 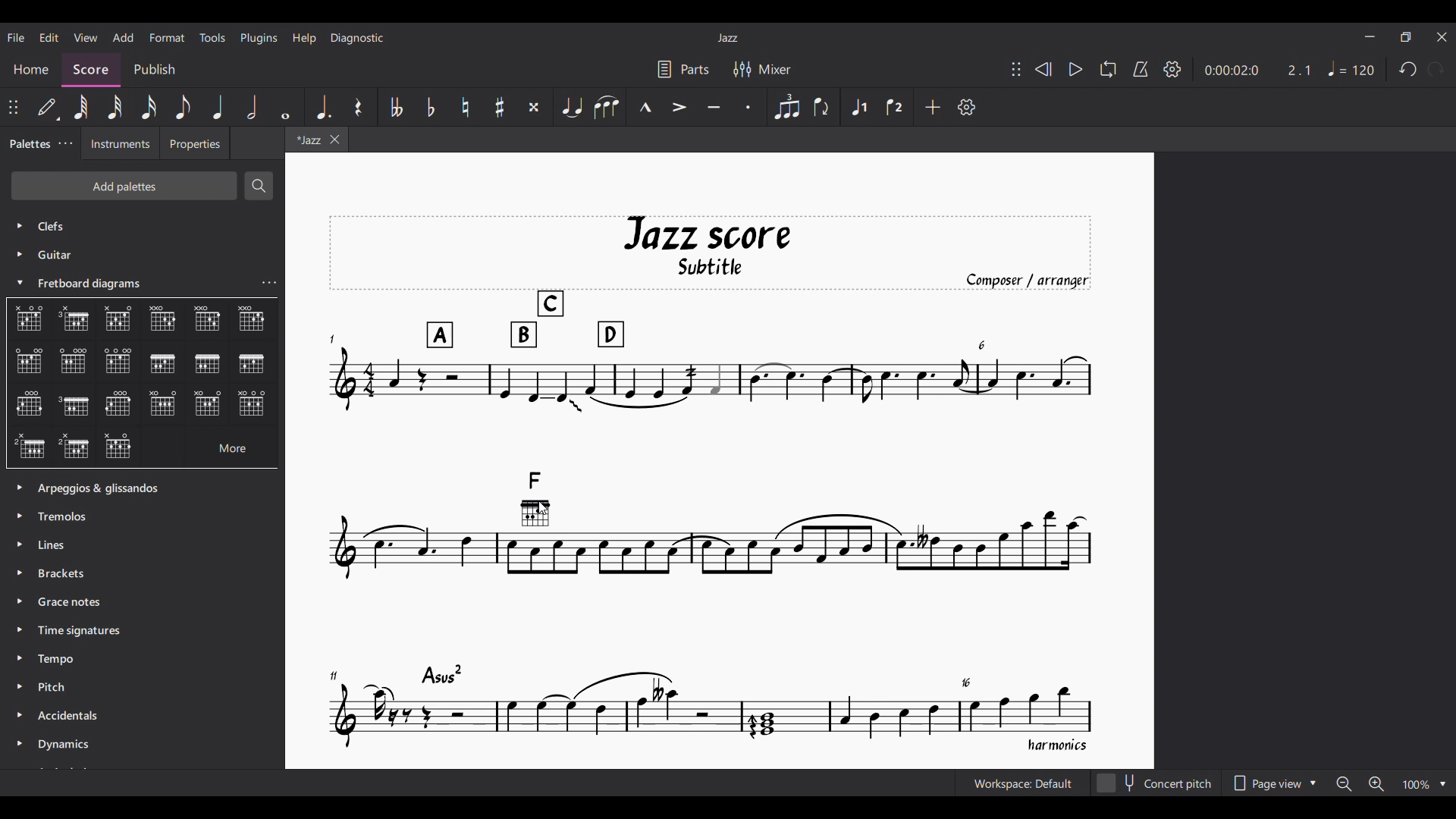 What do you see at coordinates (259, 186) in the screenshot?
I see `Search` at bounding box center [259, 186].